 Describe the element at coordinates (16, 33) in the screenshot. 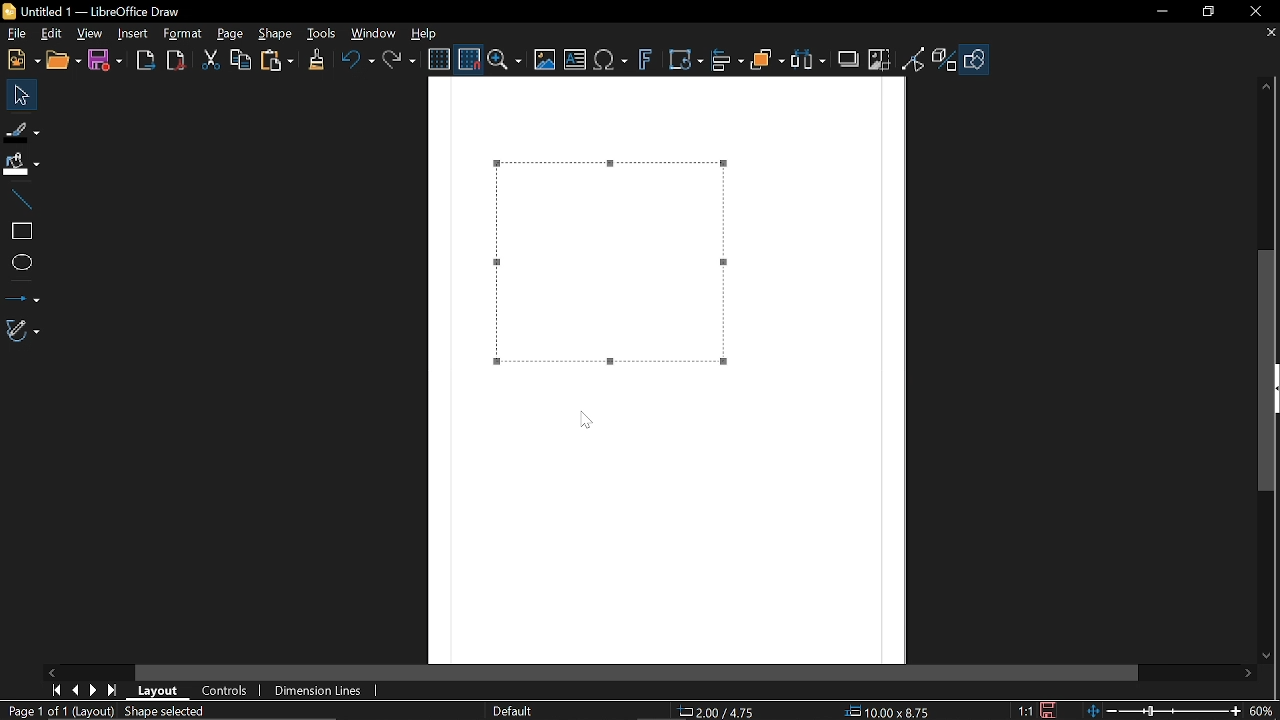

I see `File` at that location.